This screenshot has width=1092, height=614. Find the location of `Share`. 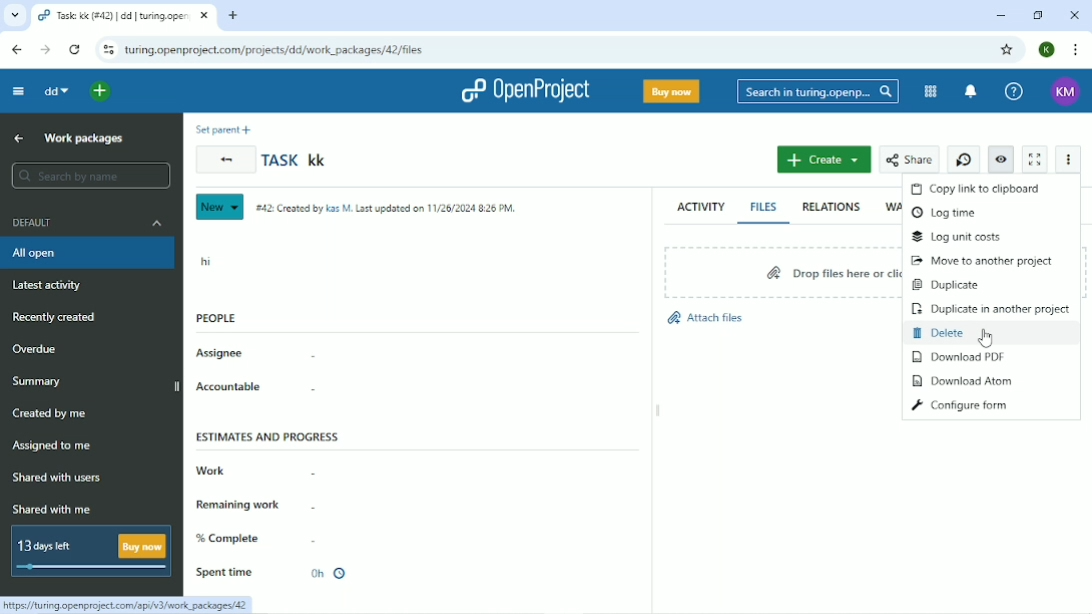

Share is located at coordinates (909, 160).